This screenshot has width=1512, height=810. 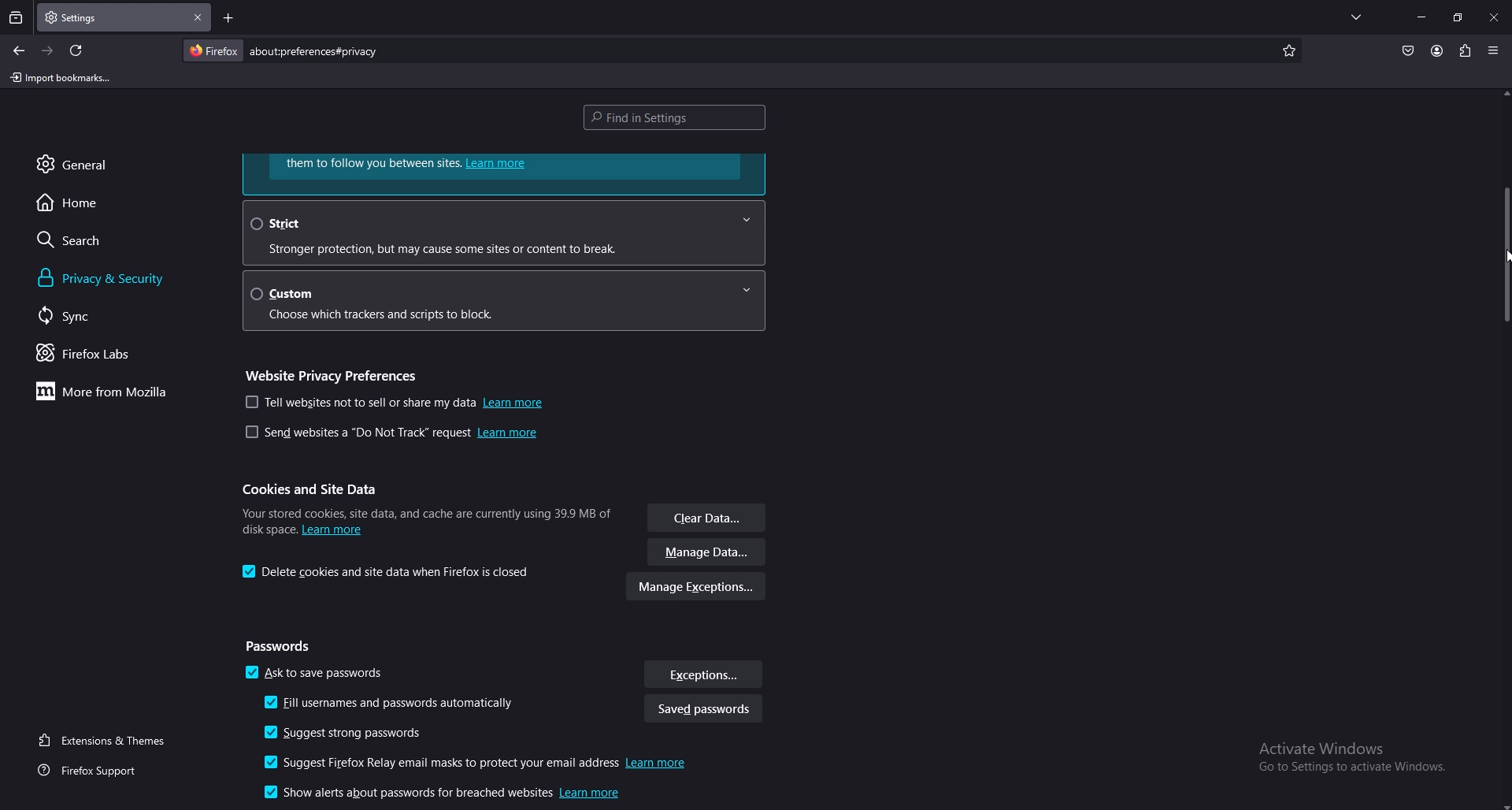 What do you see at coordinates (395, 704) in the screenshot?
I see `autofill` at bounding box center [395, 704].